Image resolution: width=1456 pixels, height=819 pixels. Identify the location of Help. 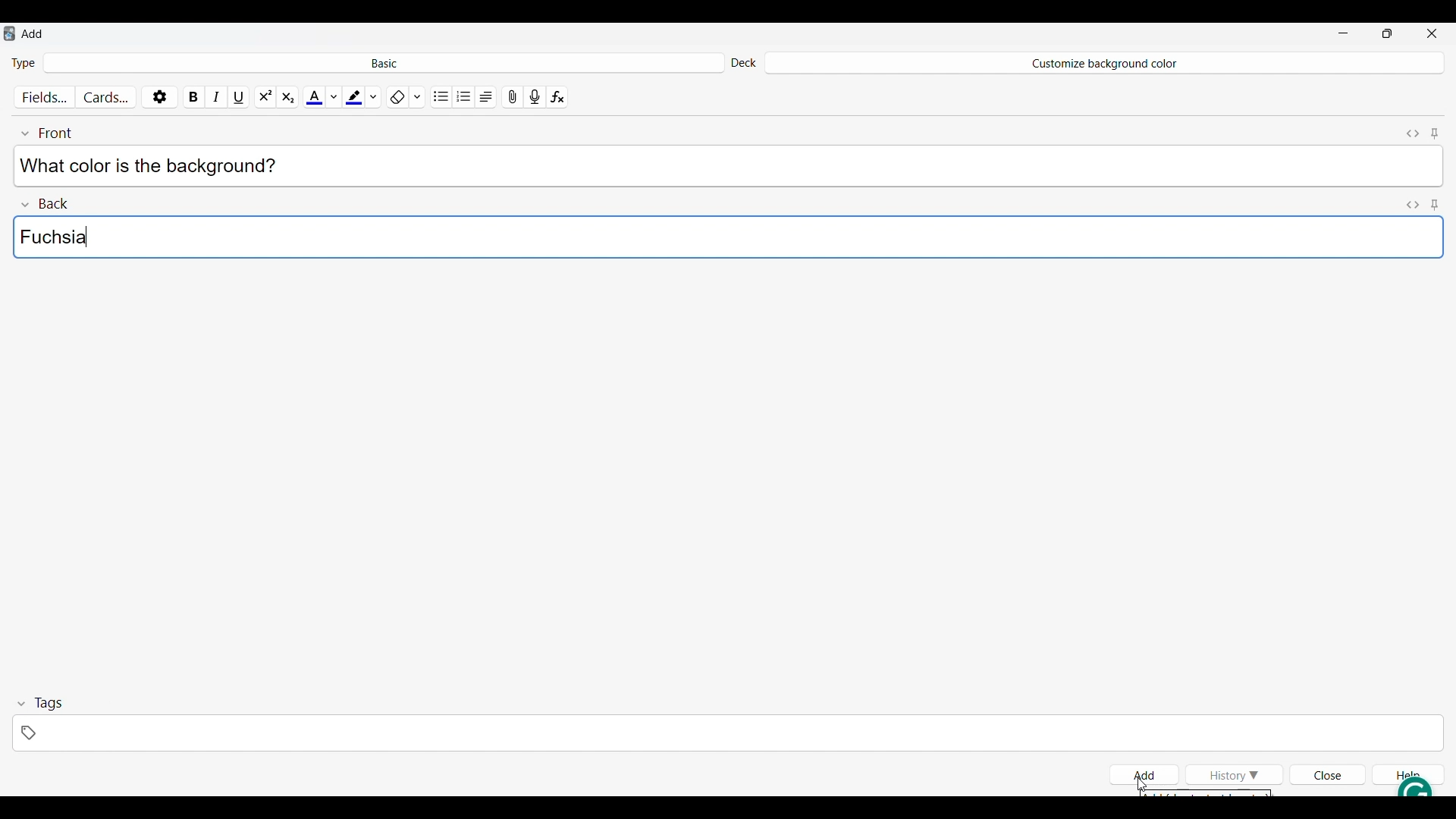
(1407, 770).